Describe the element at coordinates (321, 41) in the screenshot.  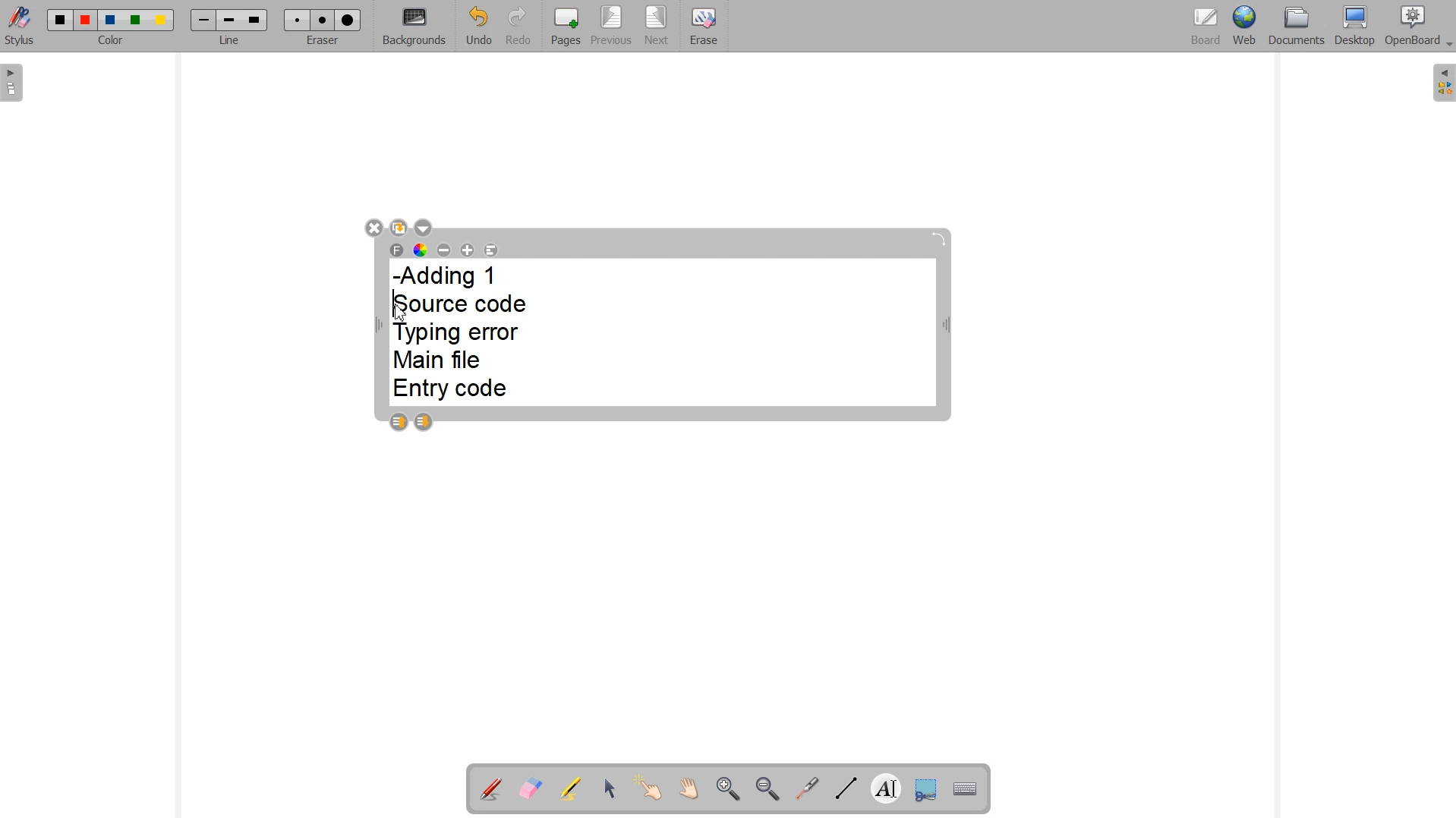
I see `Eraser` at that location.